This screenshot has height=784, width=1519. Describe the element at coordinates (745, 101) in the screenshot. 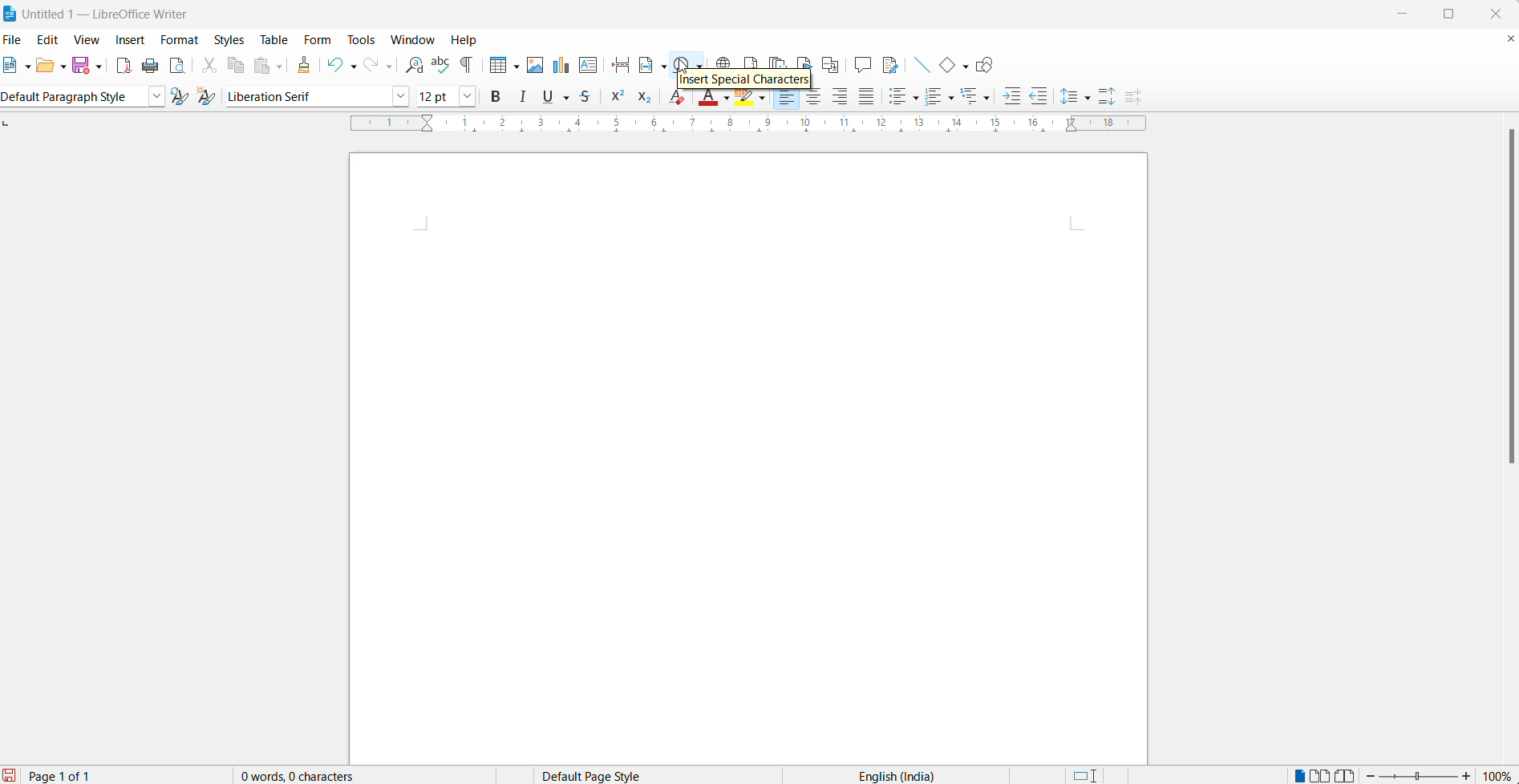

I see `character highlighting icon` at that location.